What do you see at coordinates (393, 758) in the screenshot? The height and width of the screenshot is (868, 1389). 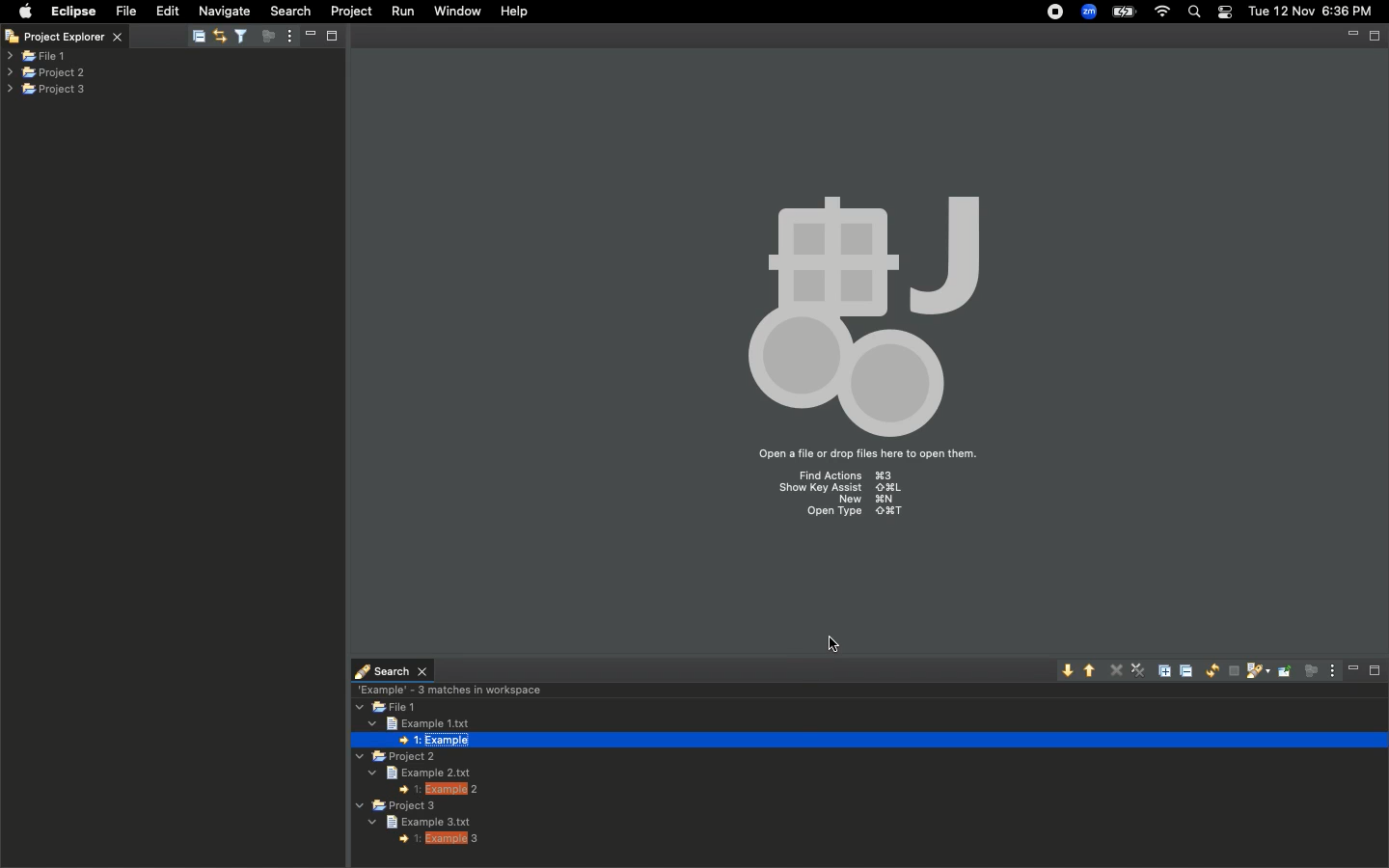 I see `Project 2` at bounding box center [393, 758].